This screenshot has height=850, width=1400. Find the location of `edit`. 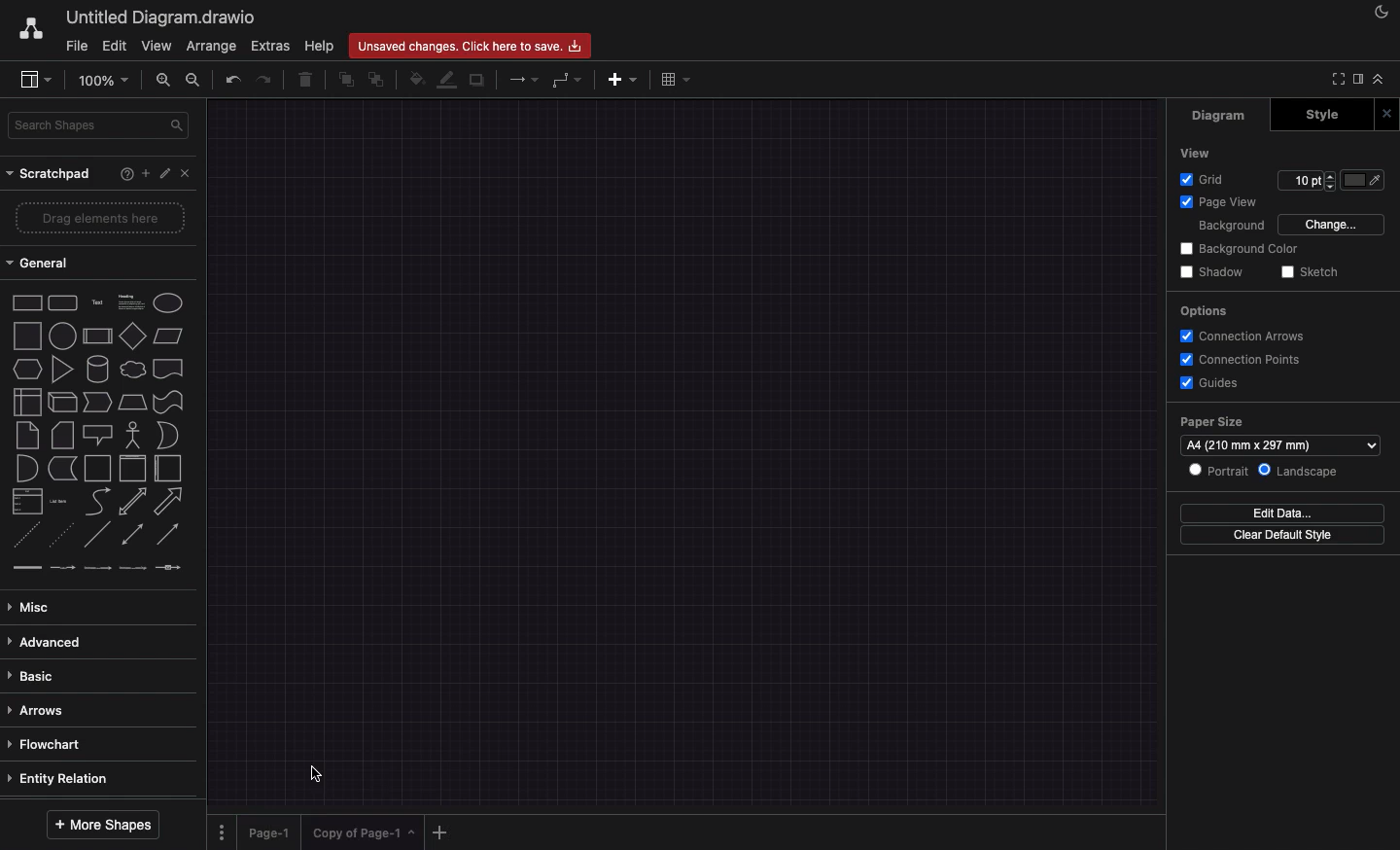

edit is located at coordinates (114, 46).